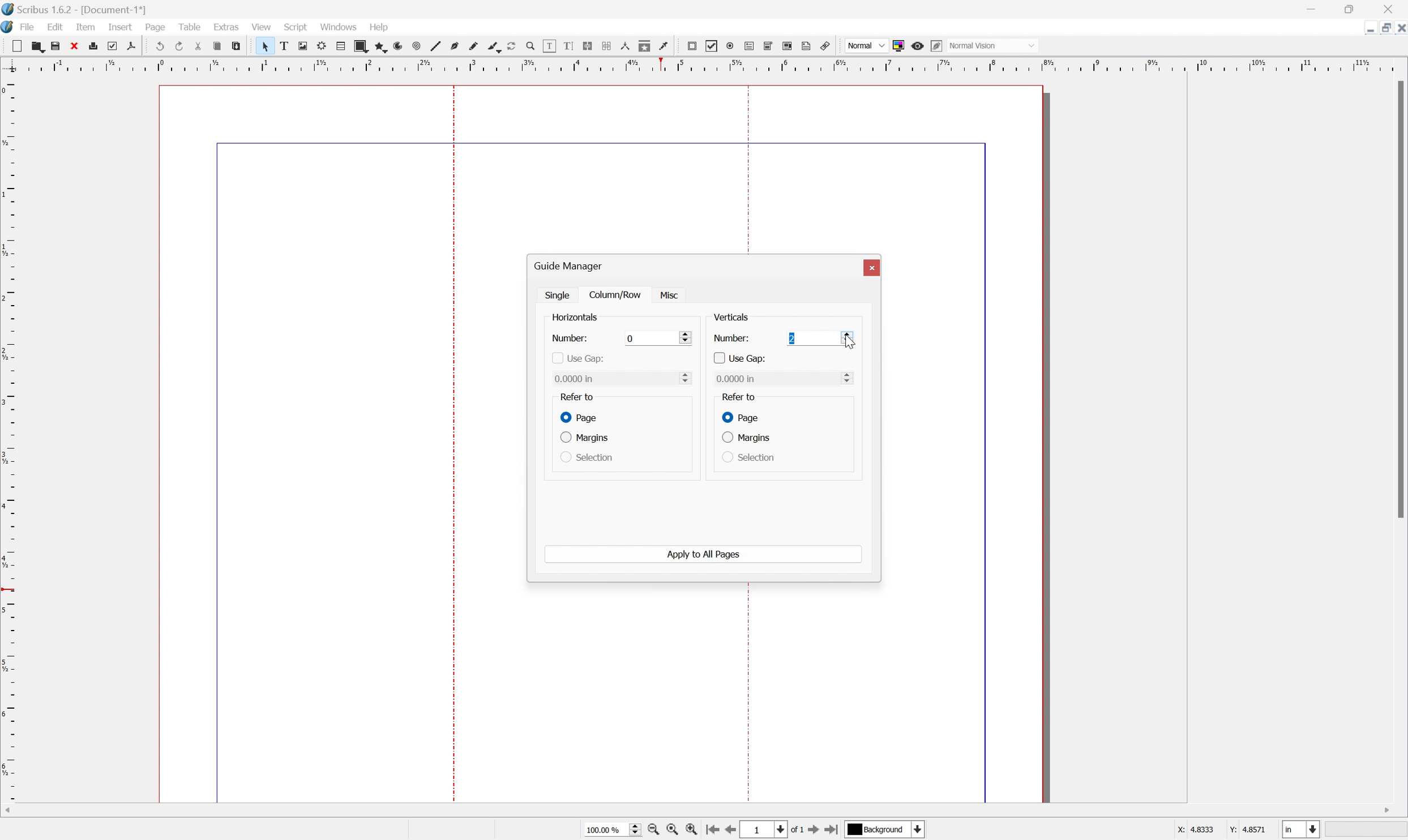 The height and width of the screenshot is (840, 1408). Describe the element at coordinates (55, 27) in the screenshot. I see `edit` at that location.